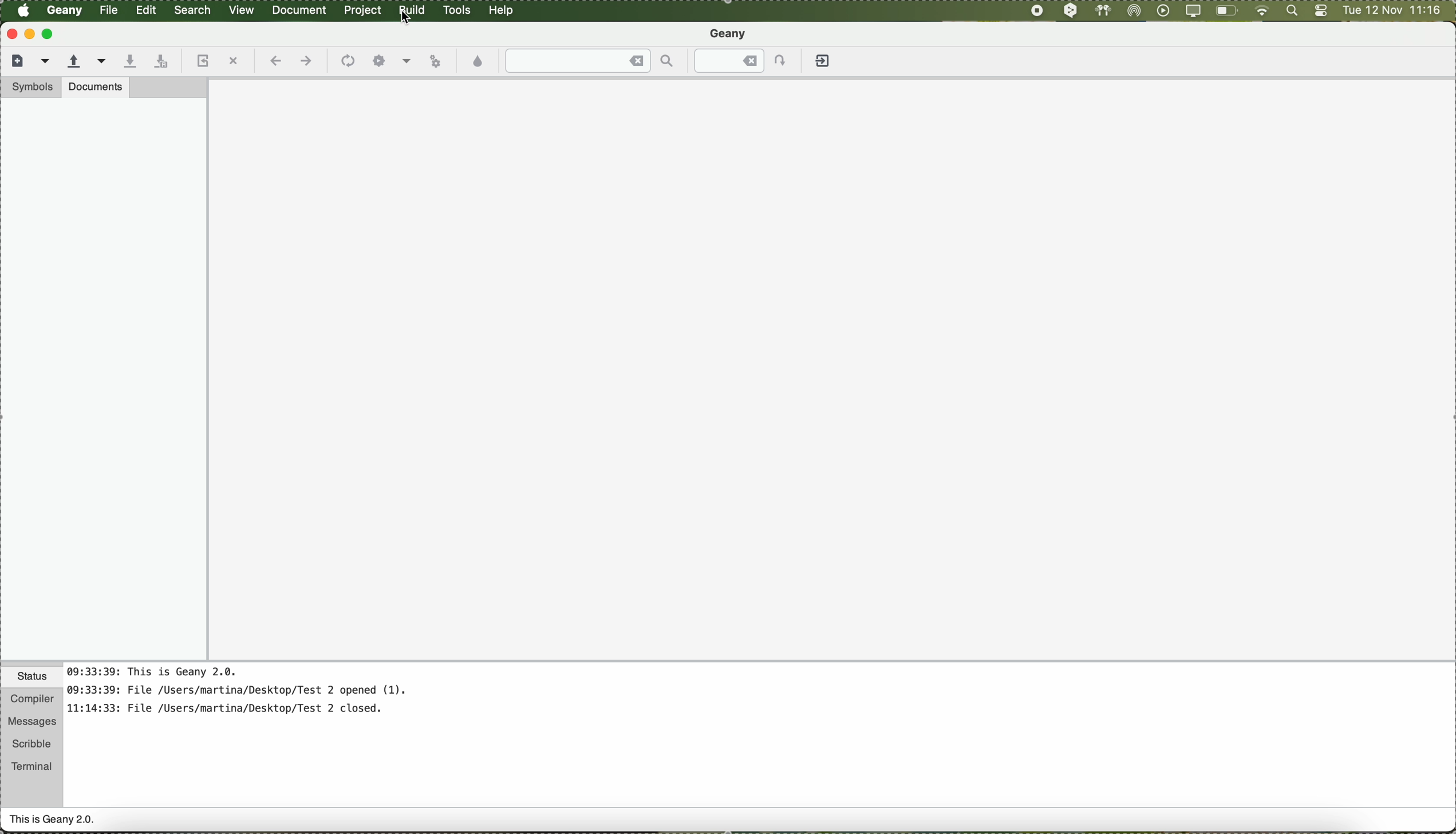 This screenshot has height=834, width=1456. I want to click on this is geany 2.0, so click(53, 821).